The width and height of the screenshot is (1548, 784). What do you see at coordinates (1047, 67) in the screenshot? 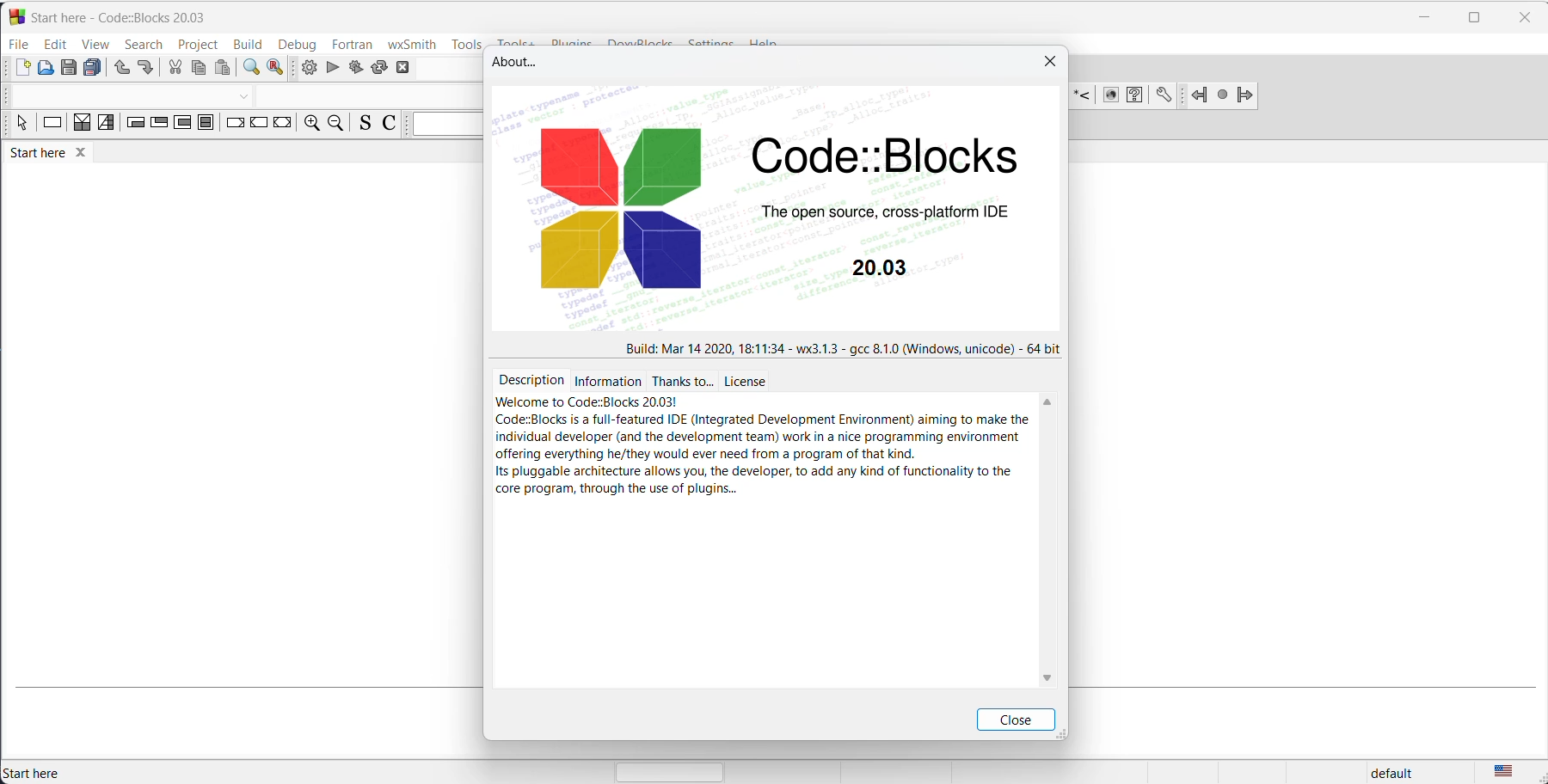
I see `close` at bounding box center [1047, 67].